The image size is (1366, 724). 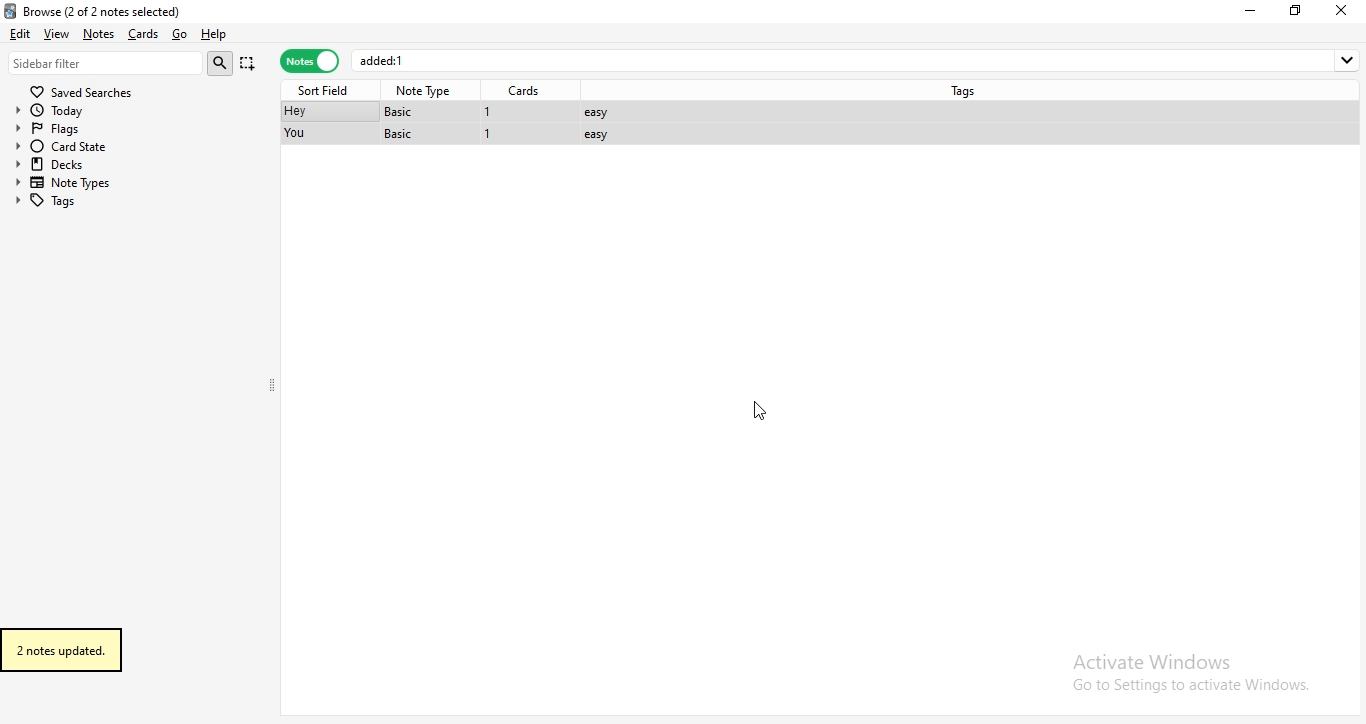 I want to click on flags, so click(x=67, y=127).